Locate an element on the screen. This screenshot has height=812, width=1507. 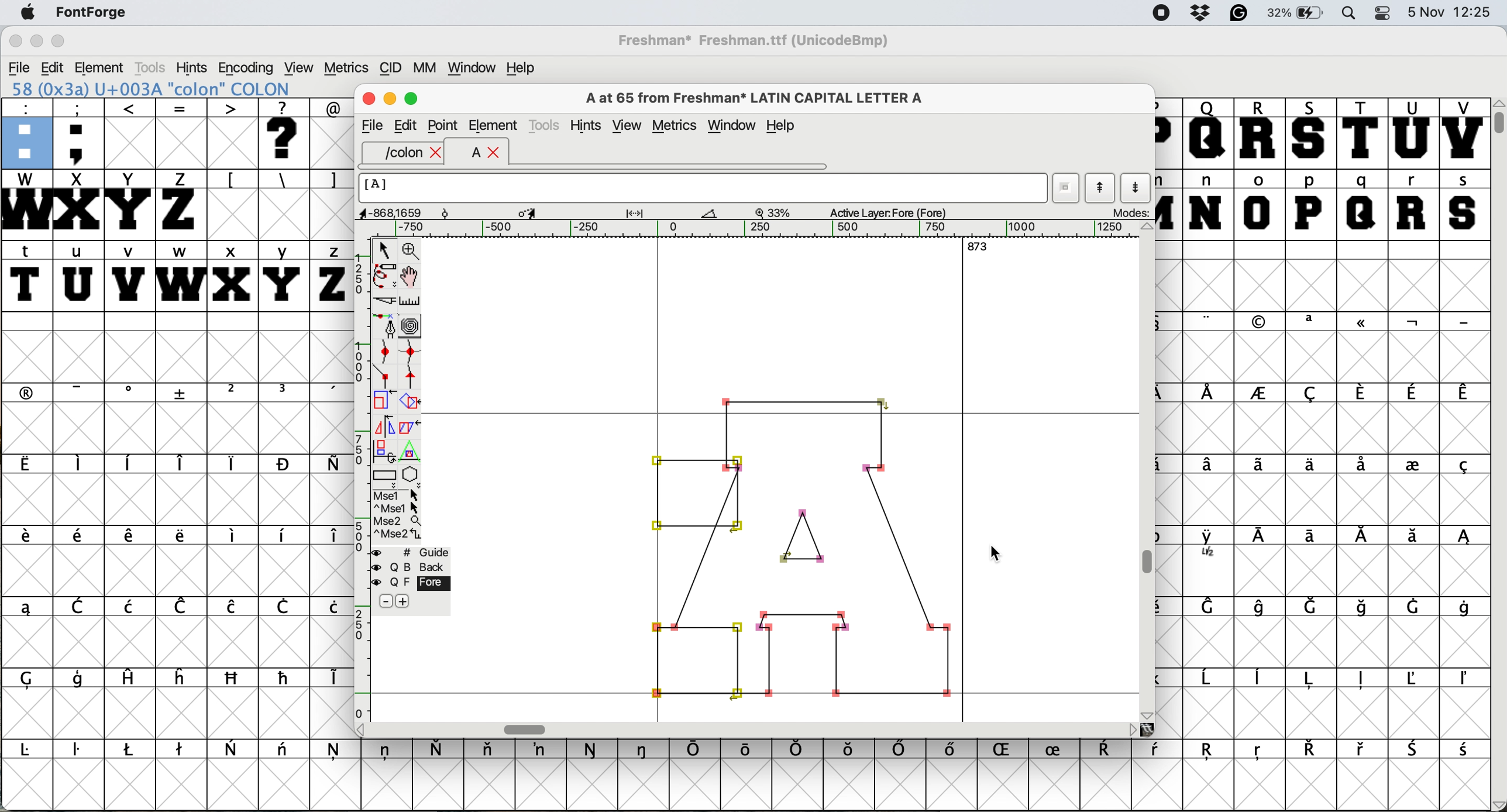
symbol is located at coordinates (1210, 753).